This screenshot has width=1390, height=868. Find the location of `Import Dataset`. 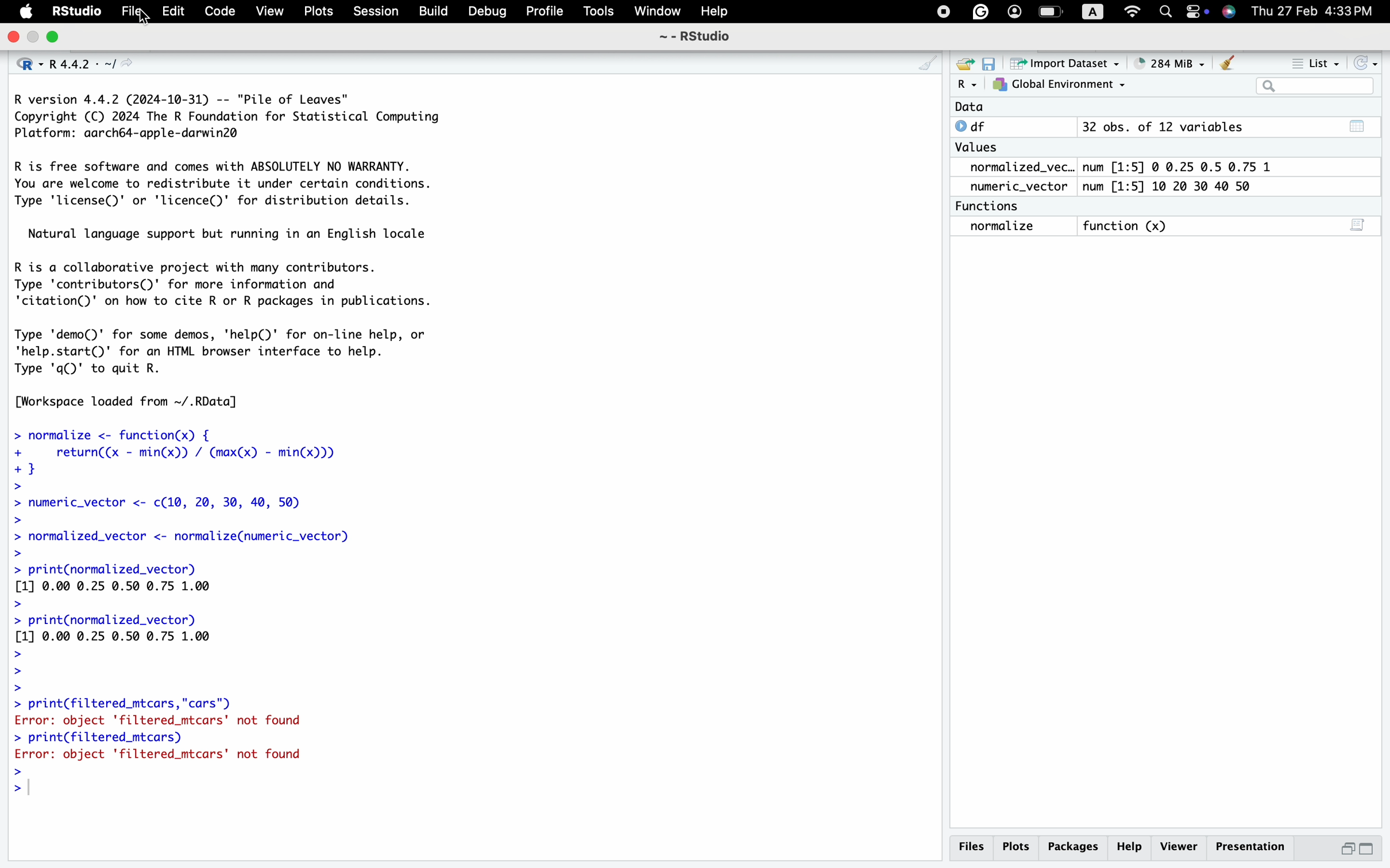

Import Dataset is located at coordinates (1062, 64).